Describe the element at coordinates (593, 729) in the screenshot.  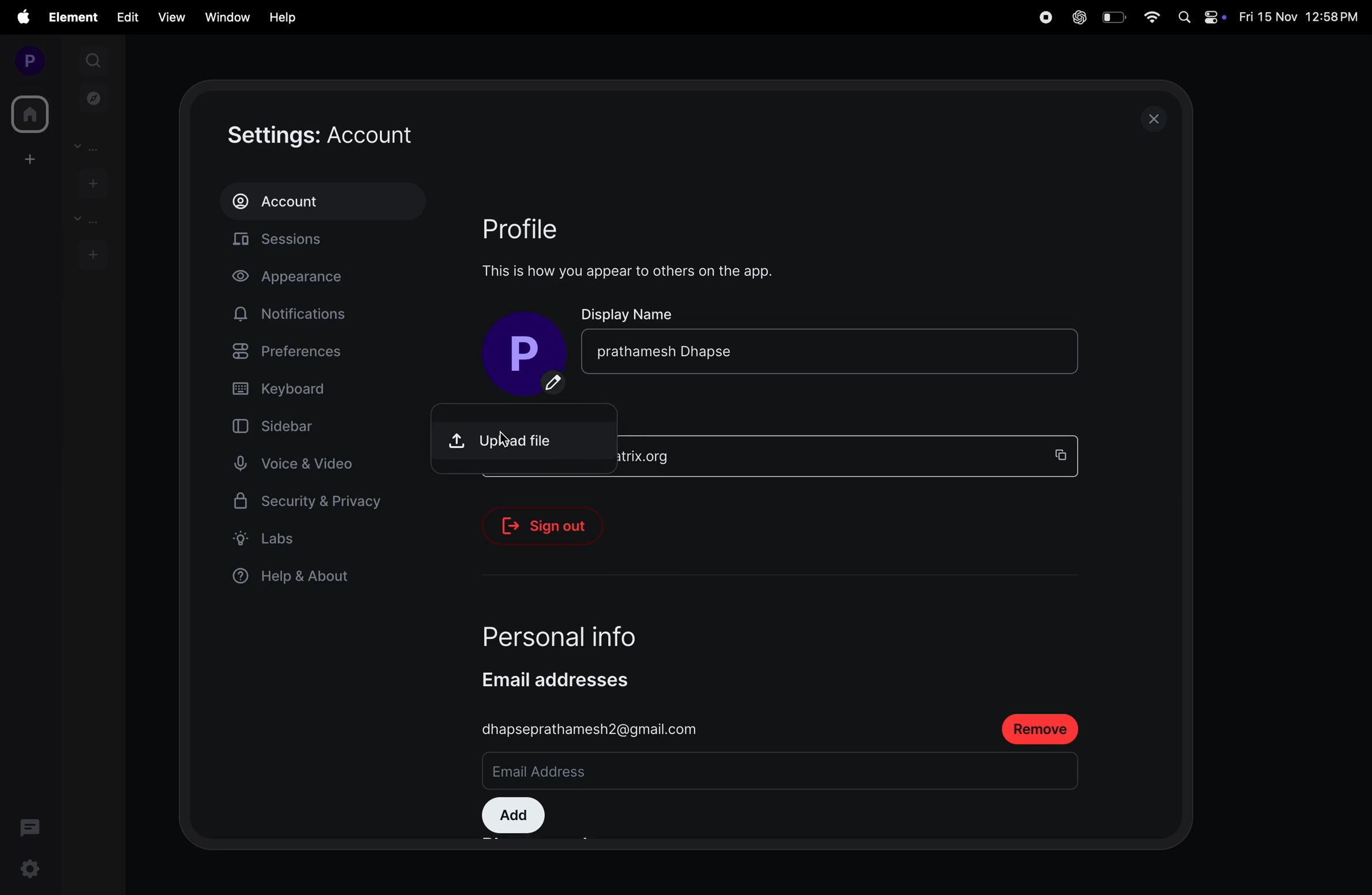
I see `gmail id` at that location.